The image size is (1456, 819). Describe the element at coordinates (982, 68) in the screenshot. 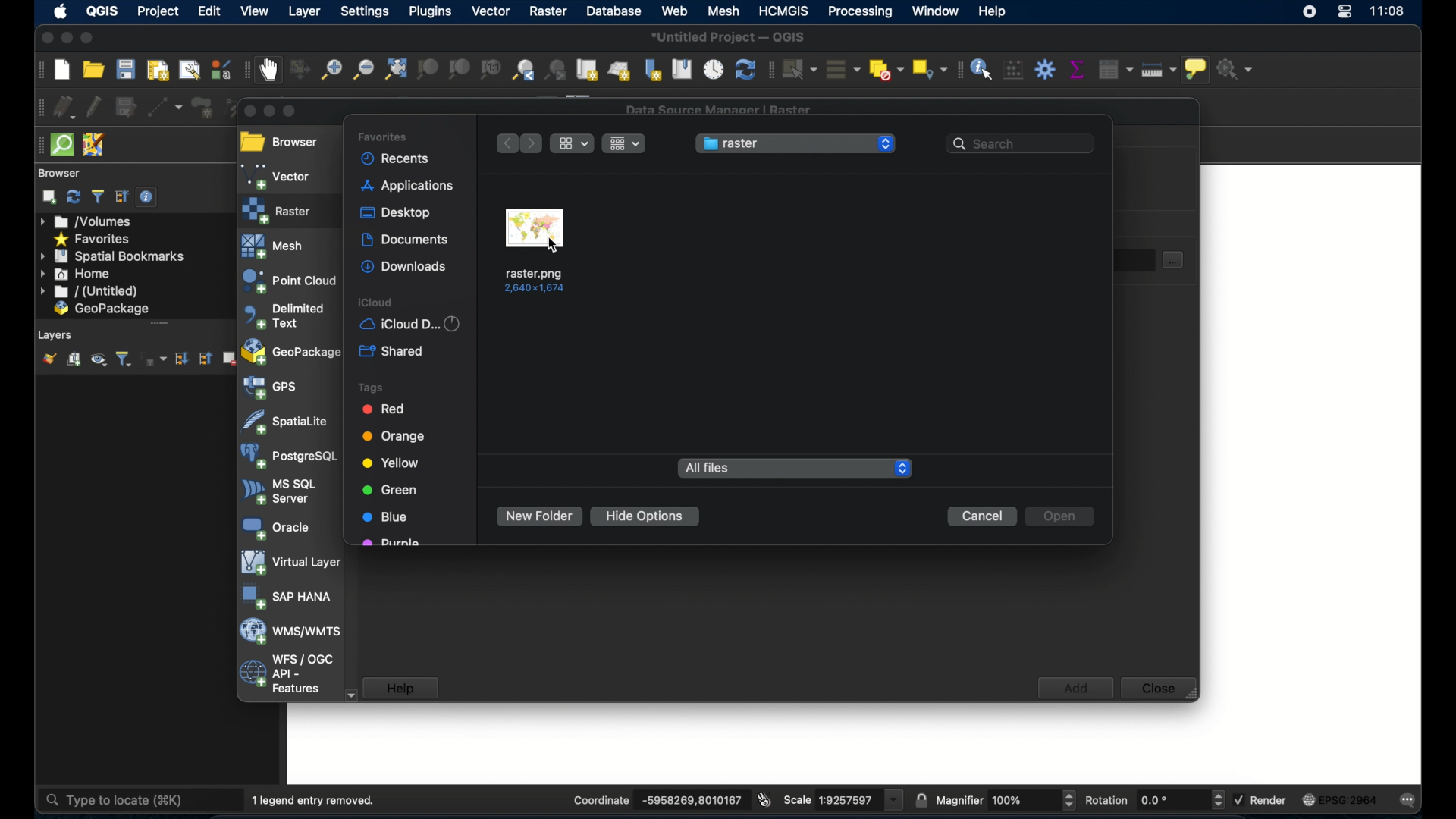

I see `identify features` at that location.